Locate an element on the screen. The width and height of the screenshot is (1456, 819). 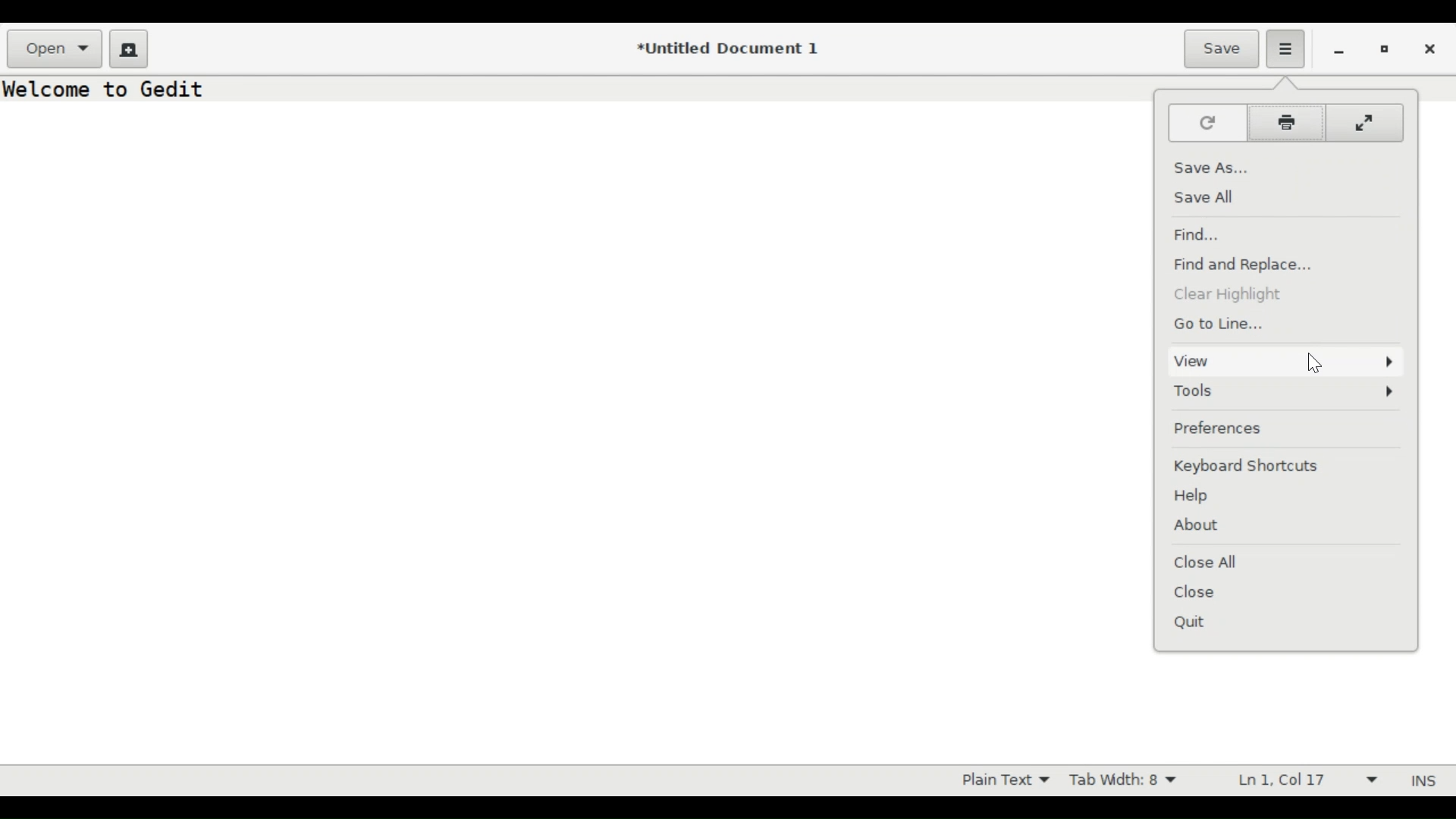
Help is located at coordinates (1199, 495).